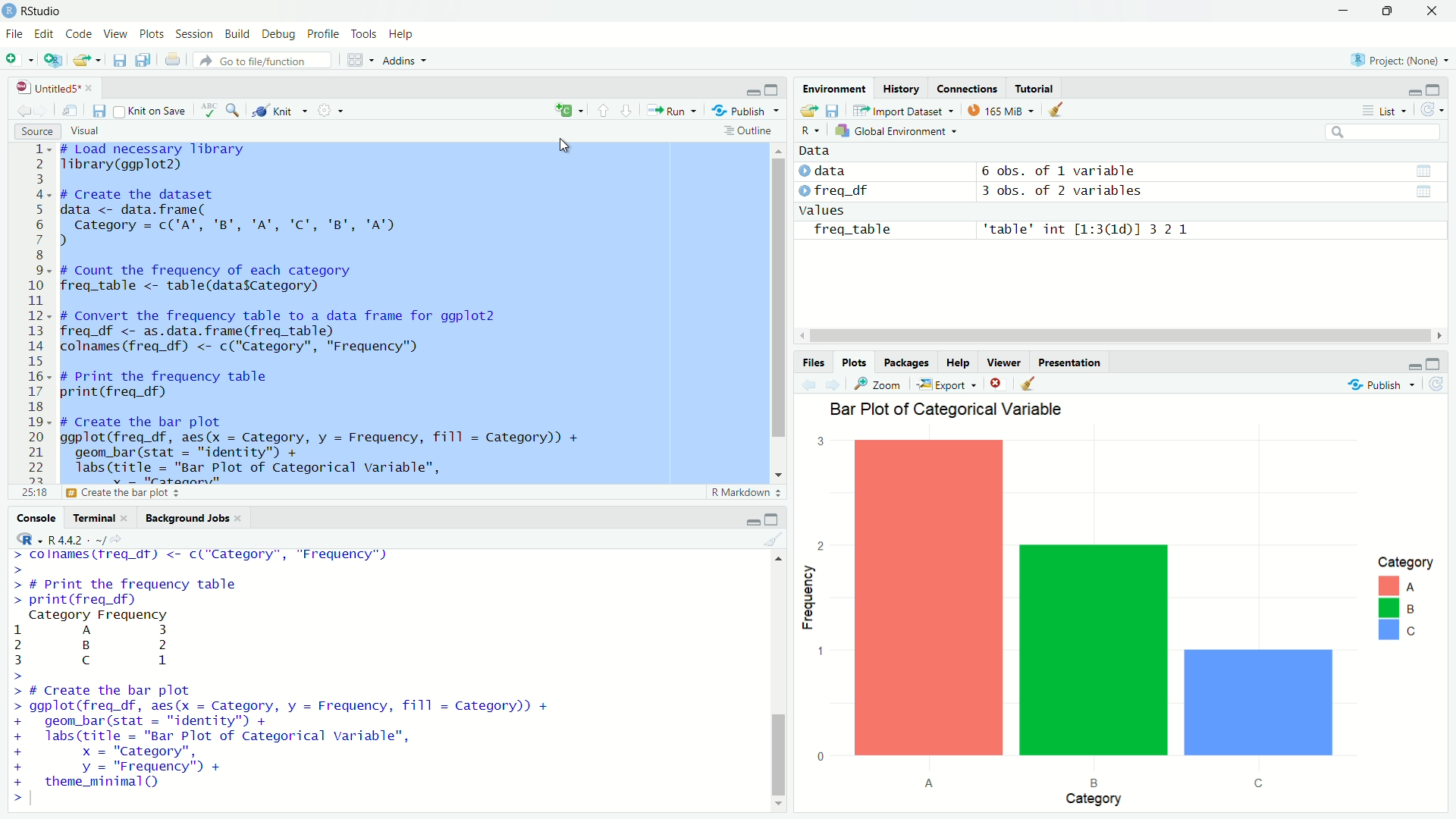 The height and width of the screenshot is (819, 1456). What do you see at coordinates (1413, 368) in the screenshot?
I see `minimize` at bounding box center [1413, 368].